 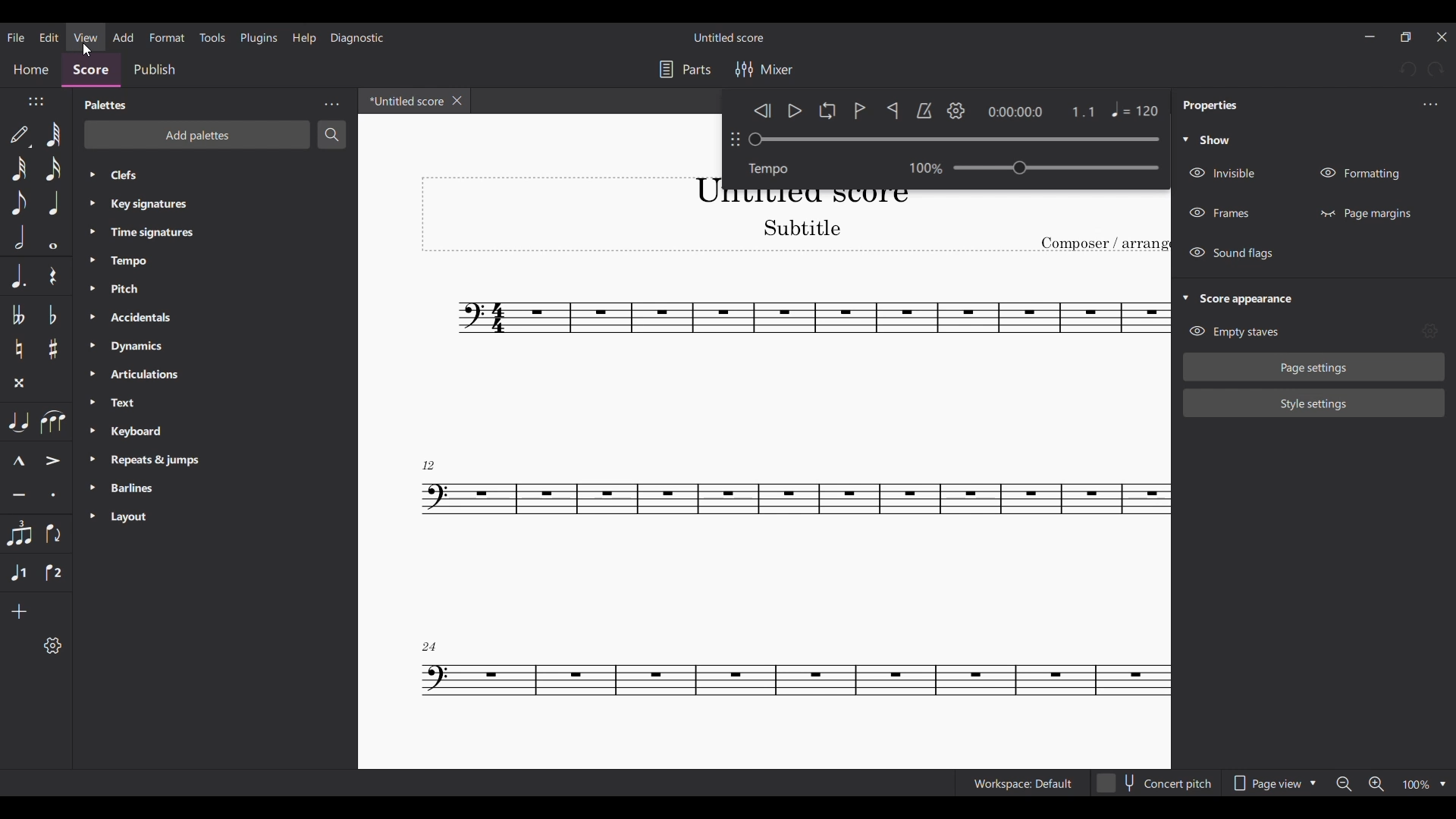 I want to click on Tenuto, so click(x=18, y=494).